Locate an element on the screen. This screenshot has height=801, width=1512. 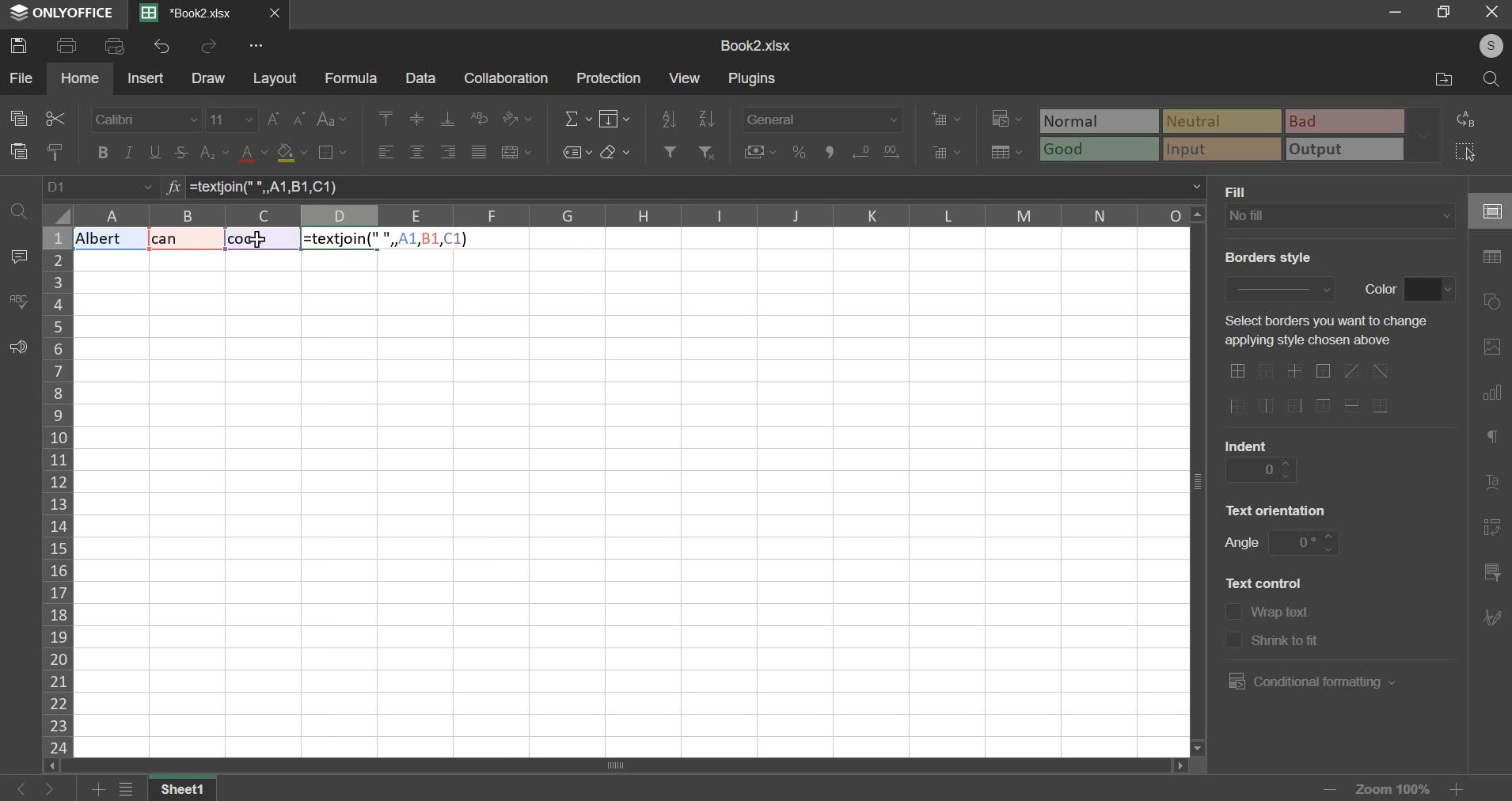
select is located at coordinates (1474, 152).